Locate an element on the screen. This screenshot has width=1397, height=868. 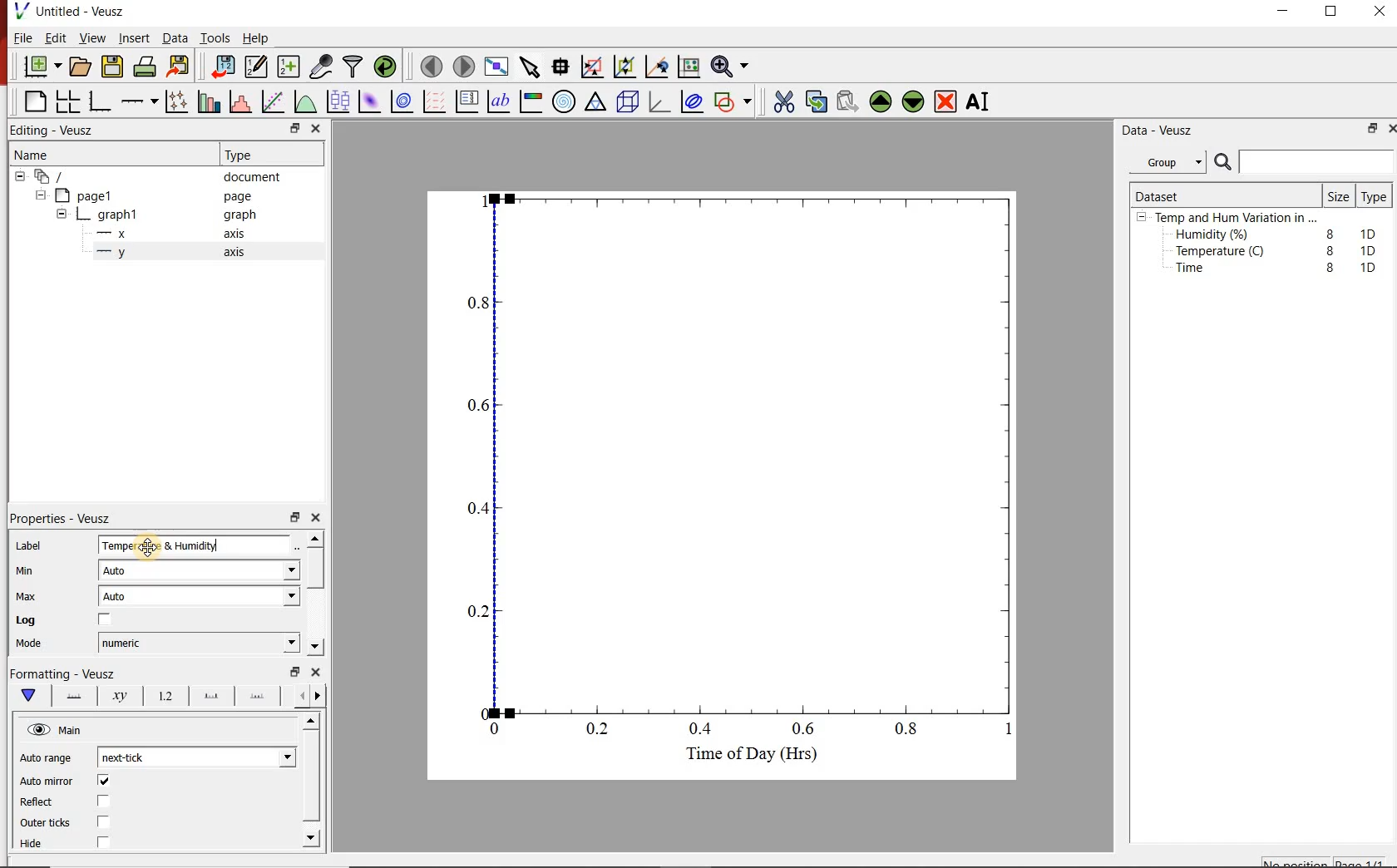
0.6 is located at coordinates (804, 728).